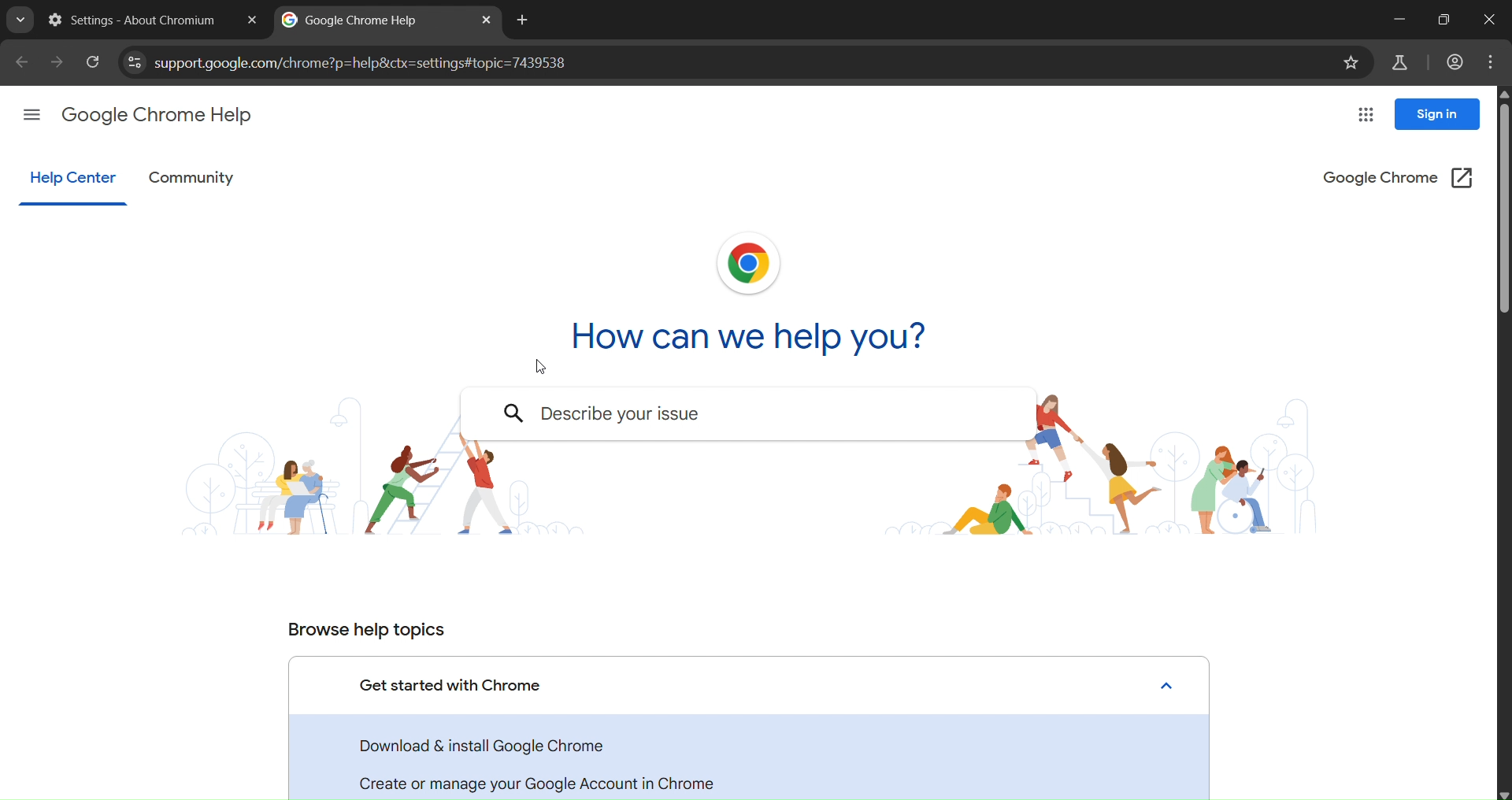 This screenshot has height=800, width=1512. I want to click on Minimize, so click(1397, 20).